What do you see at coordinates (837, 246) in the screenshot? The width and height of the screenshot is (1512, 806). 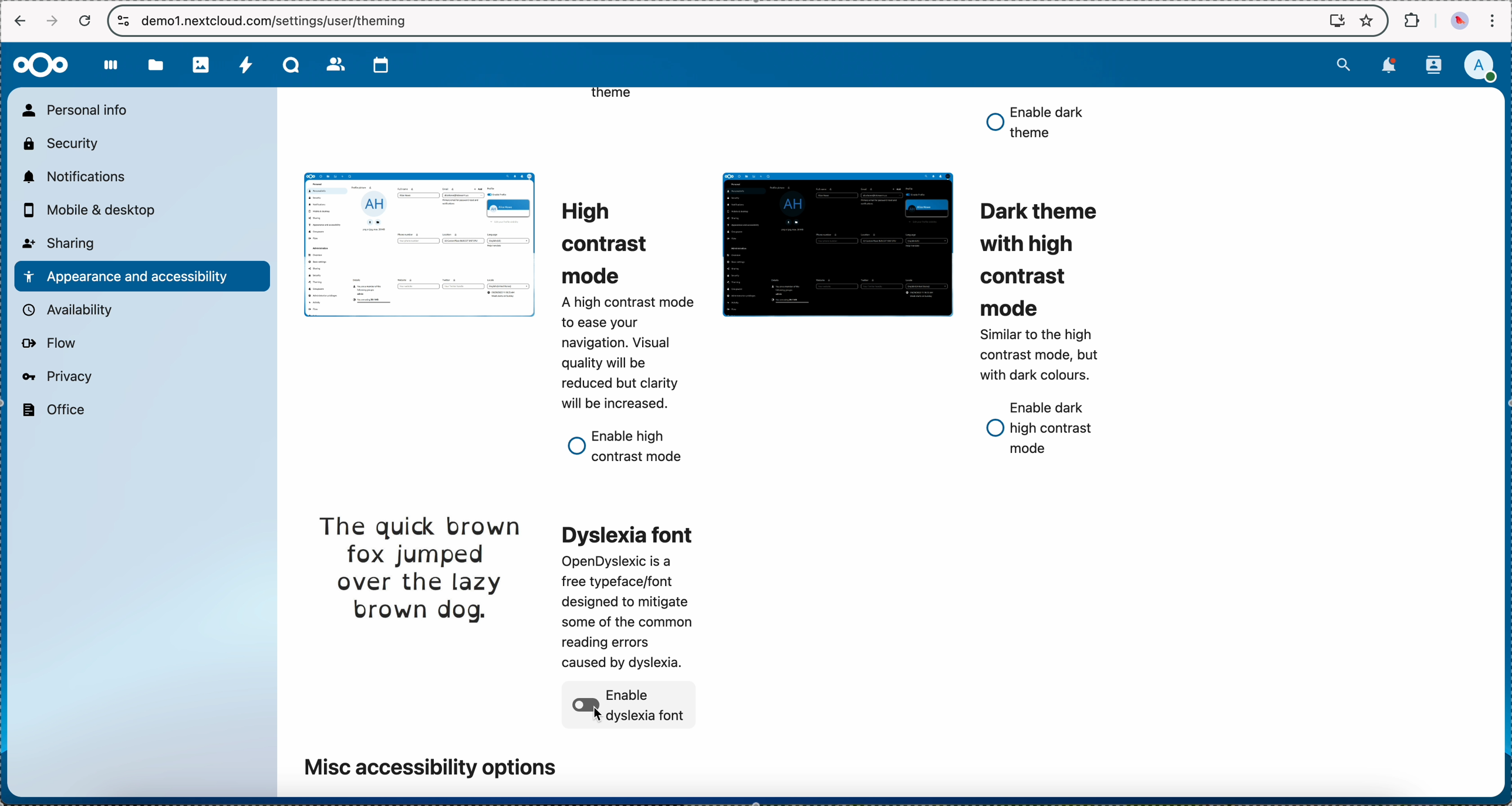 I see `dark theme preview` at bounding box center [837, 246].